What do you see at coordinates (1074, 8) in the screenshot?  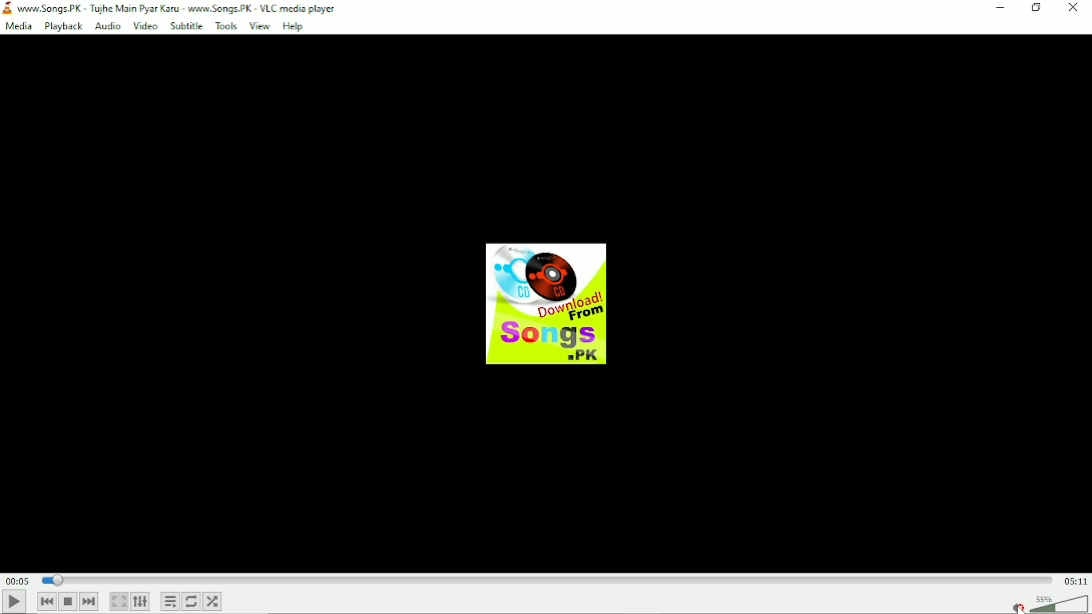 I see `Close` at bounding box center [1074, 8].